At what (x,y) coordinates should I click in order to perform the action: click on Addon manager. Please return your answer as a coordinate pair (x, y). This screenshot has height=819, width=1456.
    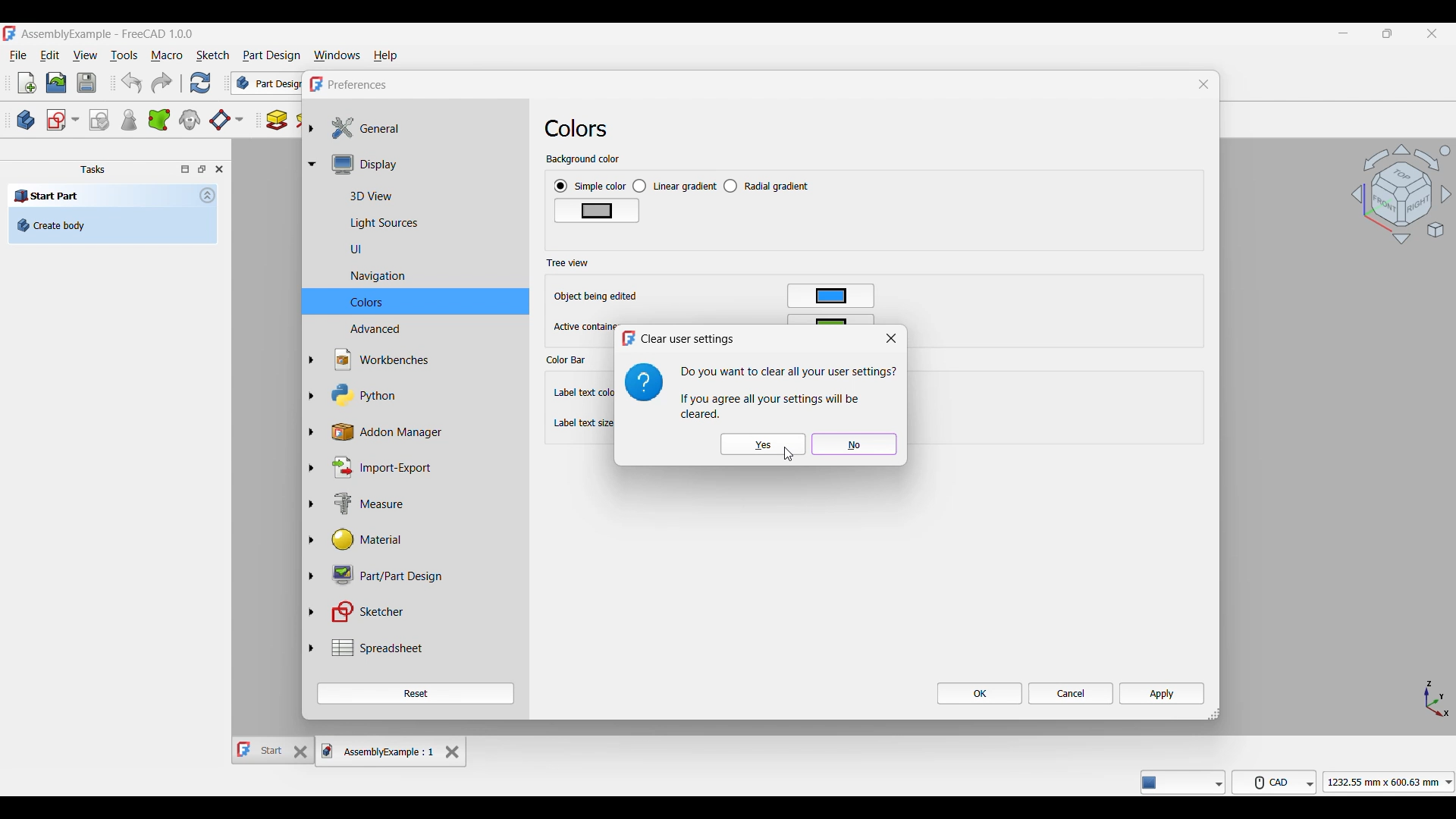
    Looking at the image, I should click on (392, 433).